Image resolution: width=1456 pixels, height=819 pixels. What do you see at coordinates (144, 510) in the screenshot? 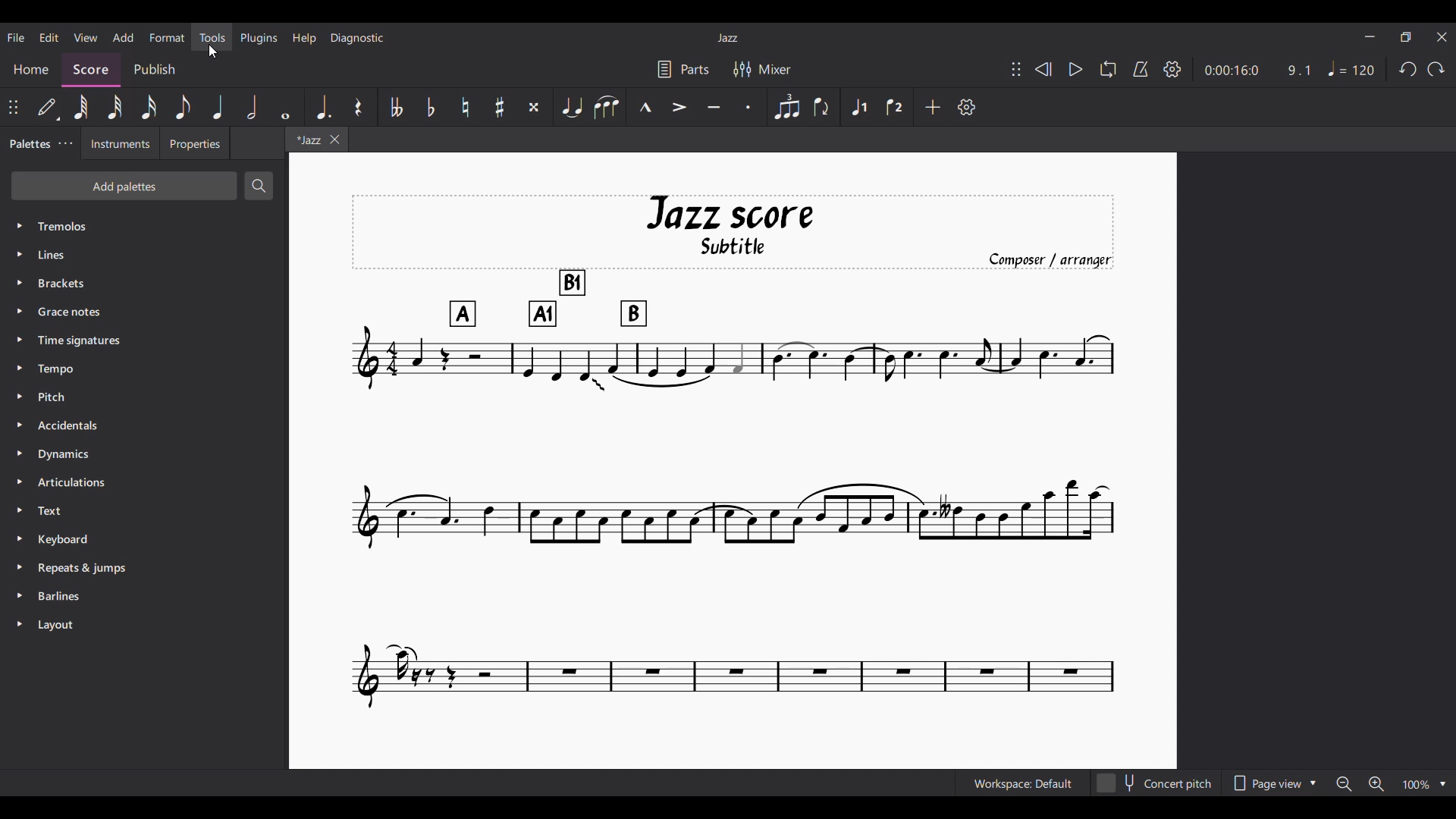
I see `Text` at bounding box center [144, 510].